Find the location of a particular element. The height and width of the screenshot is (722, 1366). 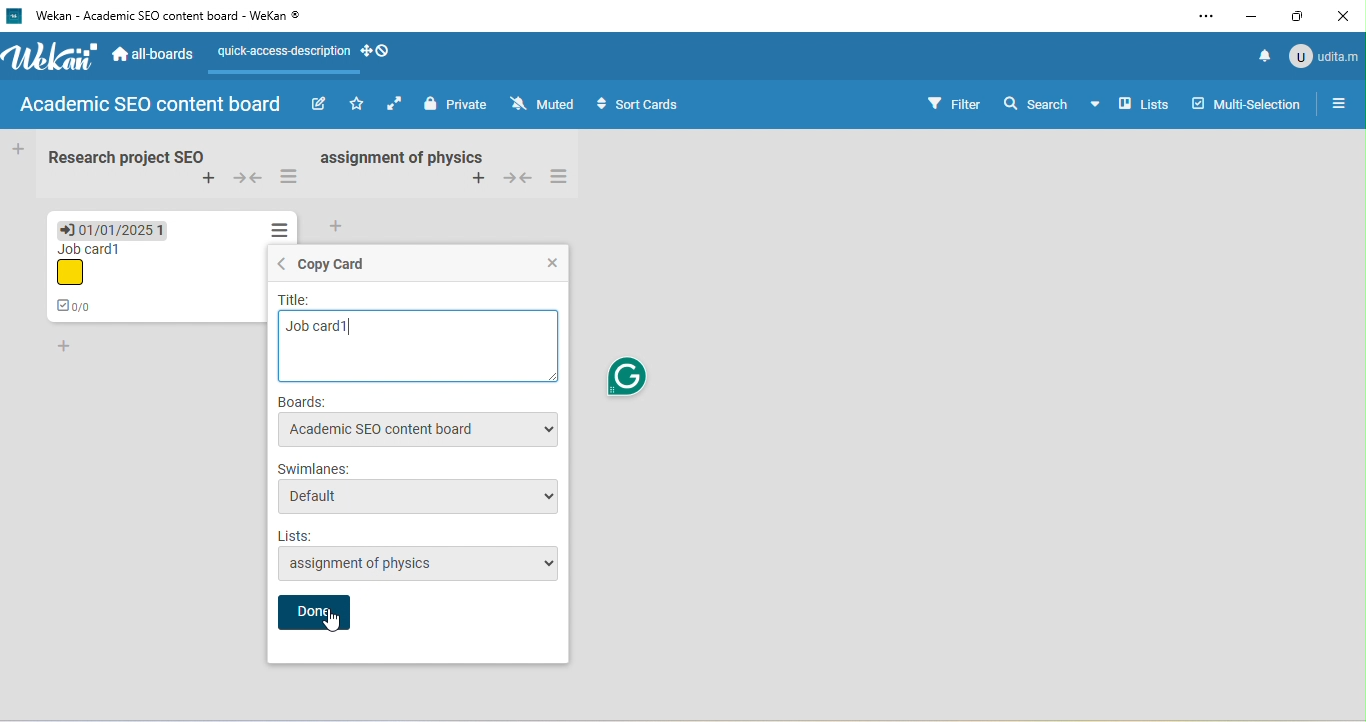

boards is located at coordinates (305, 402).